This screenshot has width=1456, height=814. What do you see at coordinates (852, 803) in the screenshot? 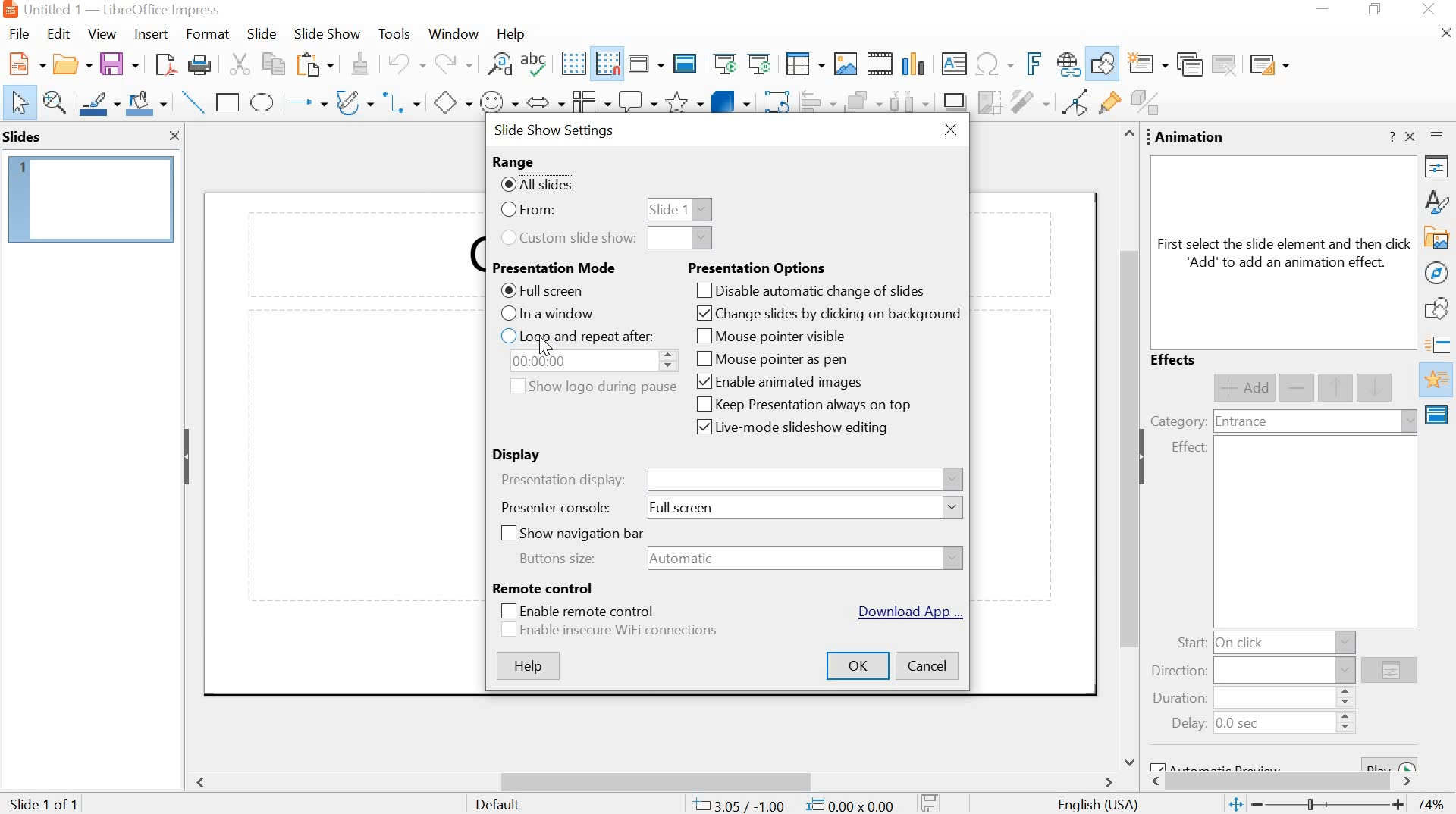
I see `0.00x0.00` at bounding box center [852, 803].